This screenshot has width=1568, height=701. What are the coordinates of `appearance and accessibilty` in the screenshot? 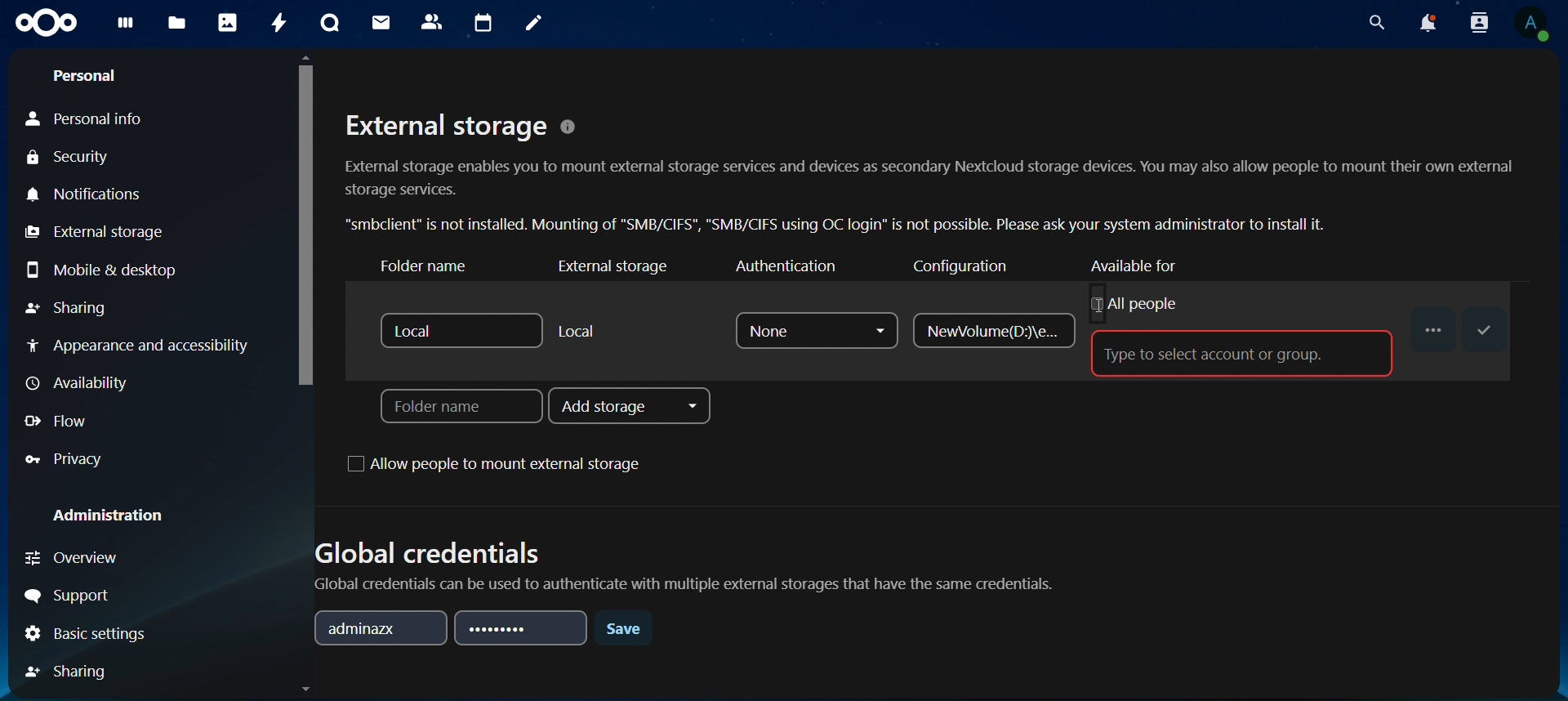 It's located at (143, 346).